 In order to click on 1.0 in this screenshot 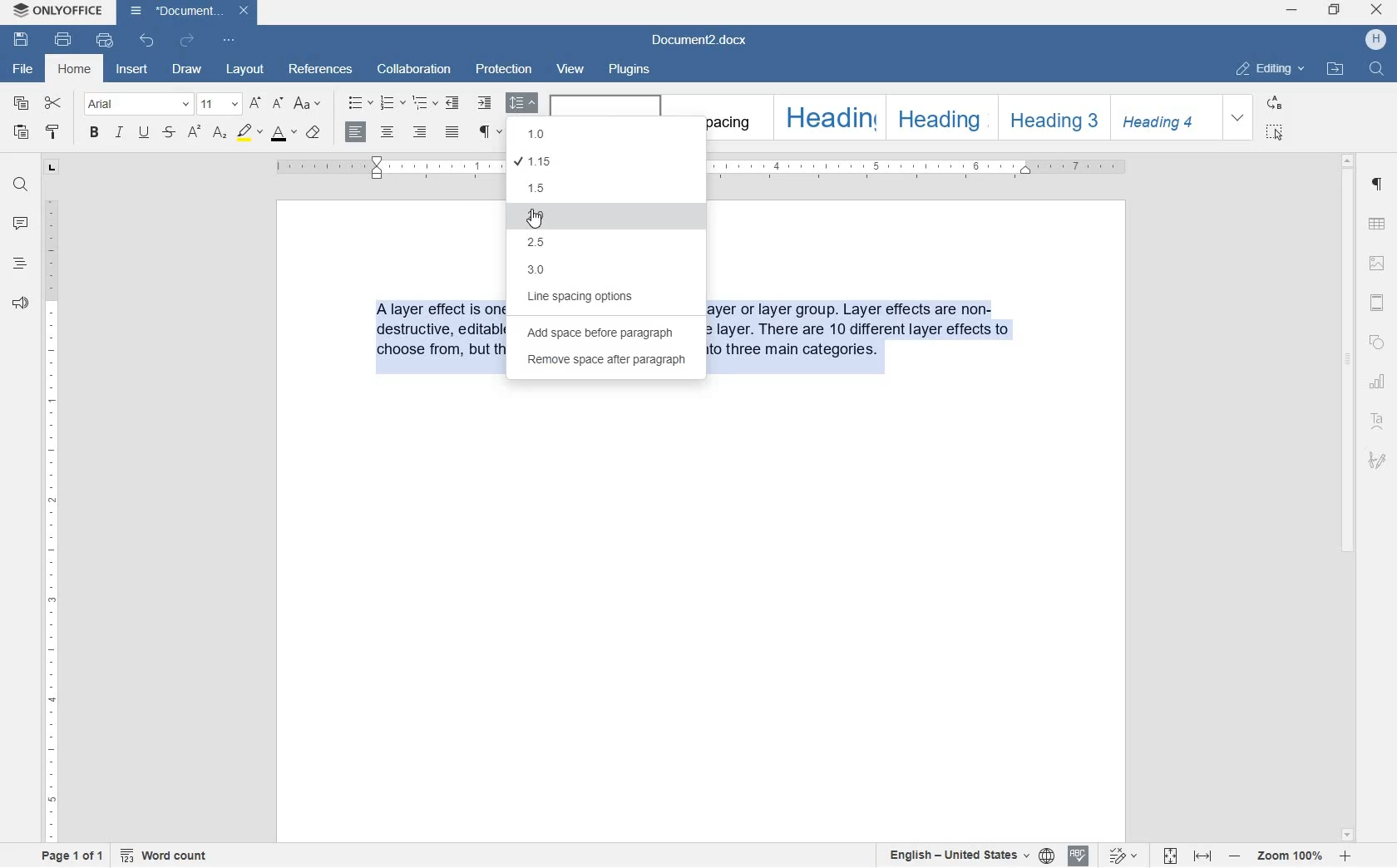, I will do `click(541, 136)`.